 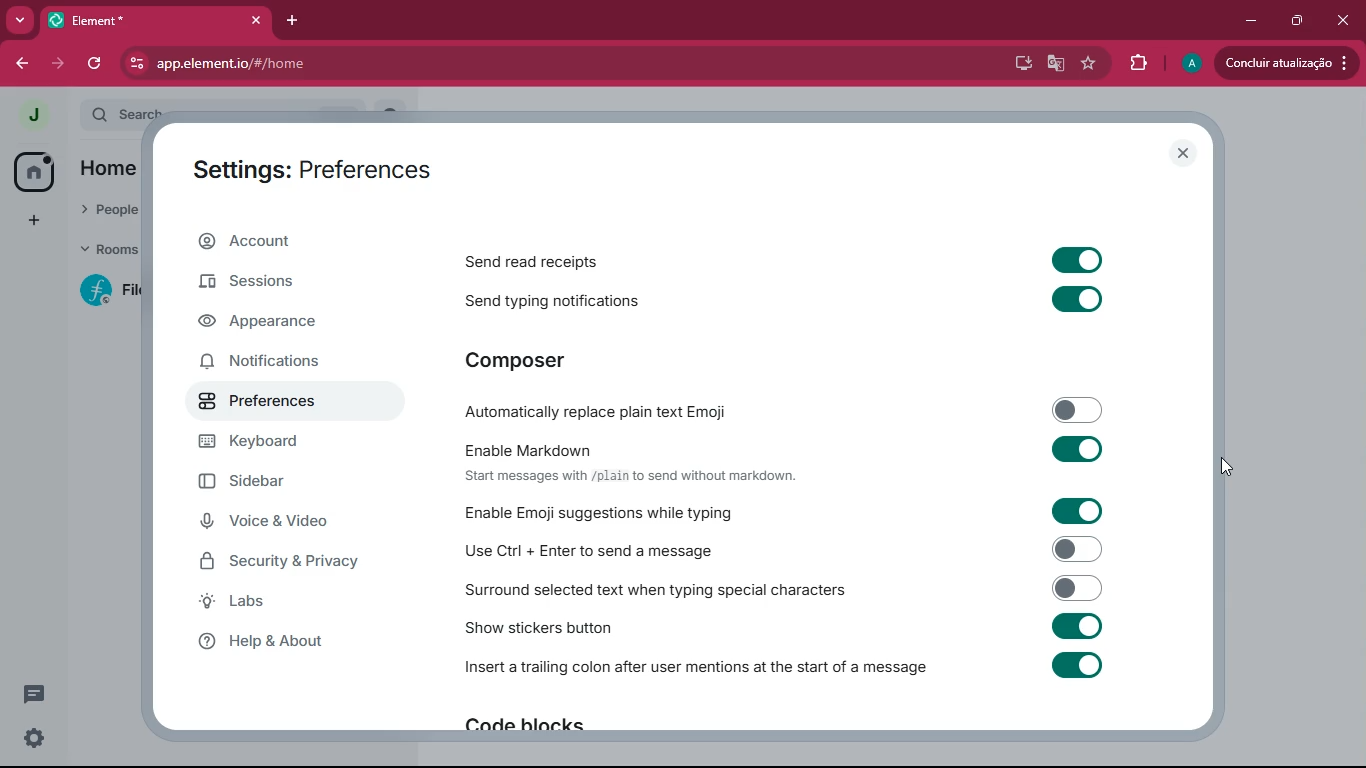 What do you see at coordinates (279, 483) in the screenshot?
I see `sidebar` at bounding box center [279, 483].